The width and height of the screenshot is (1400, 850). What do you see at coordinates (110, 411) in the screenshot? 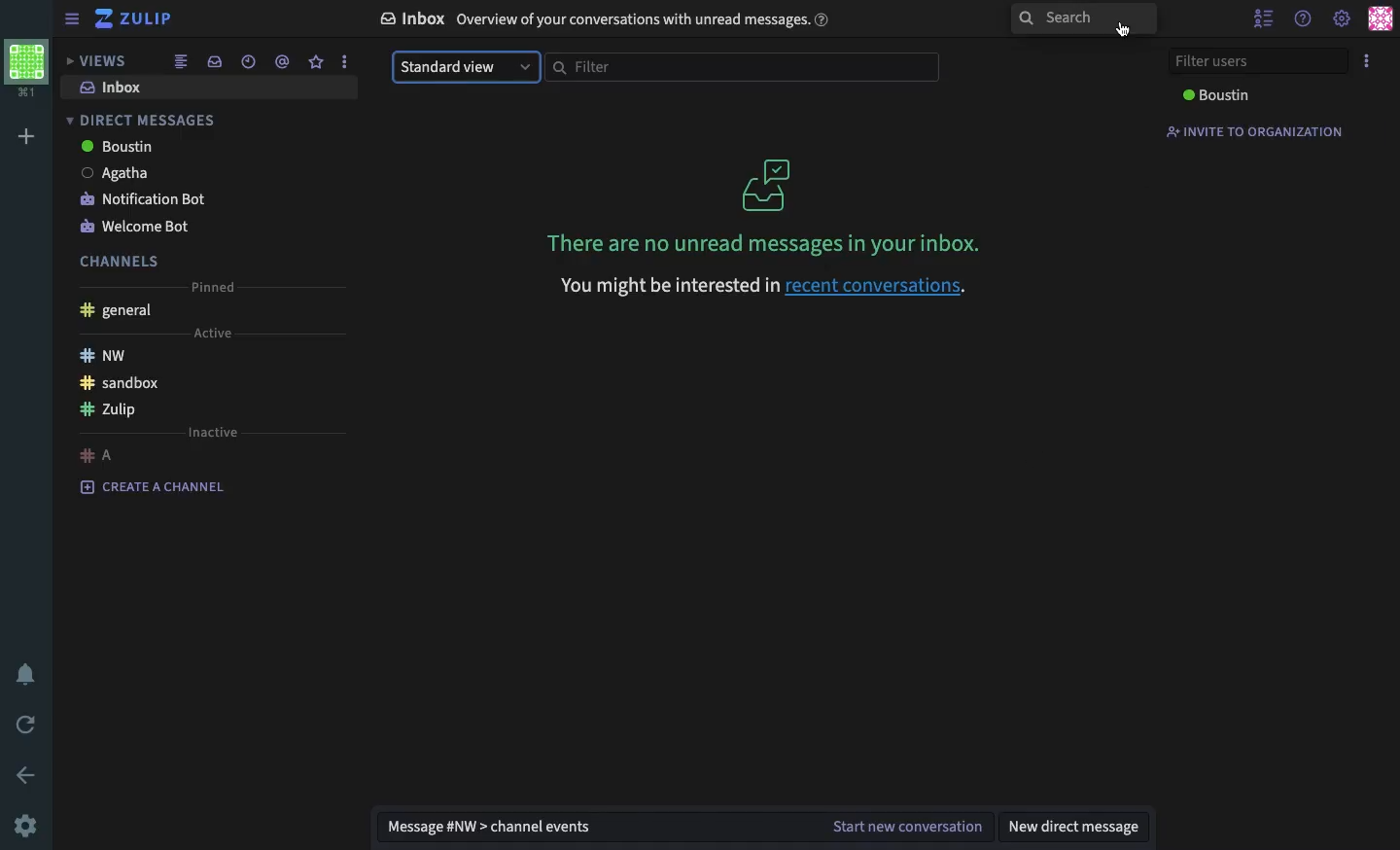
I see `Zulip` at bounding box center [110, 411].